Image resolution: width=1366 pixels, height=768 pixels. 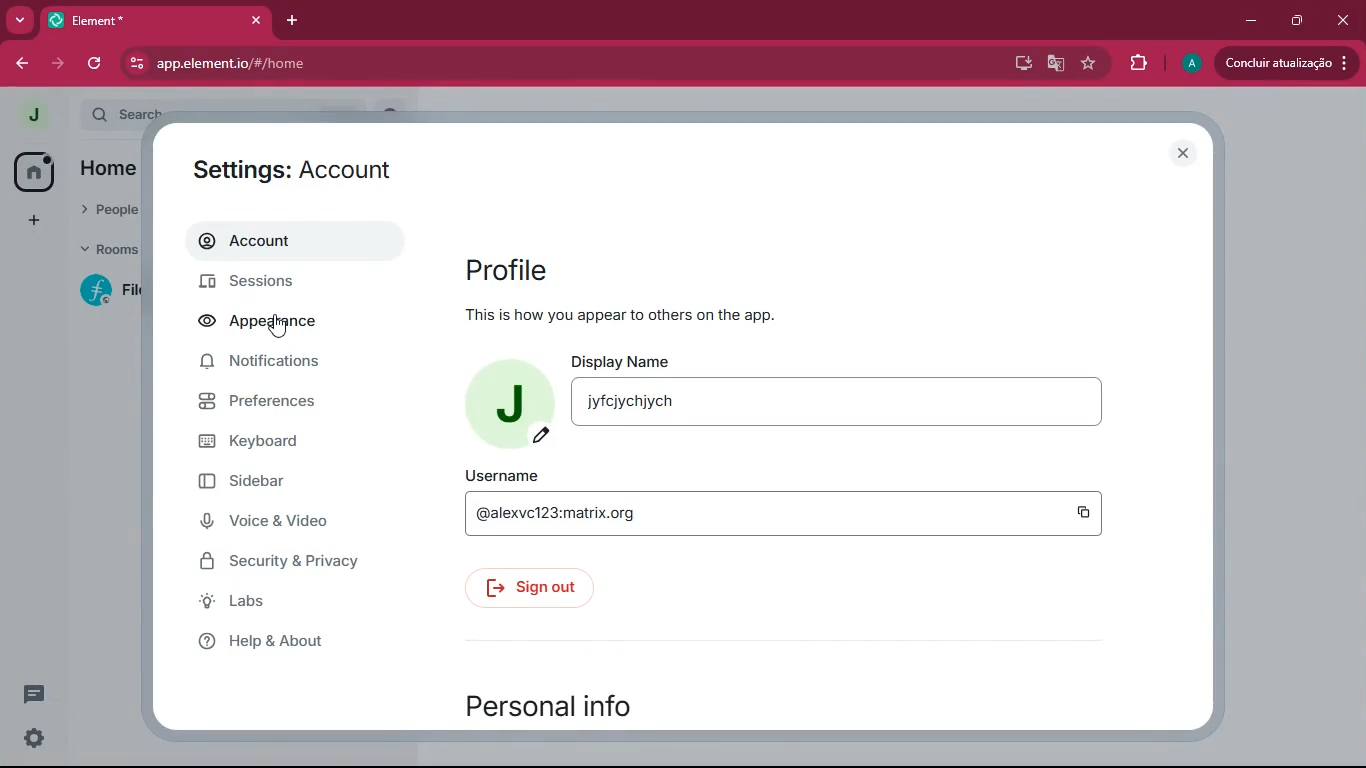 I want to click on close, so click(x=258, y=20).